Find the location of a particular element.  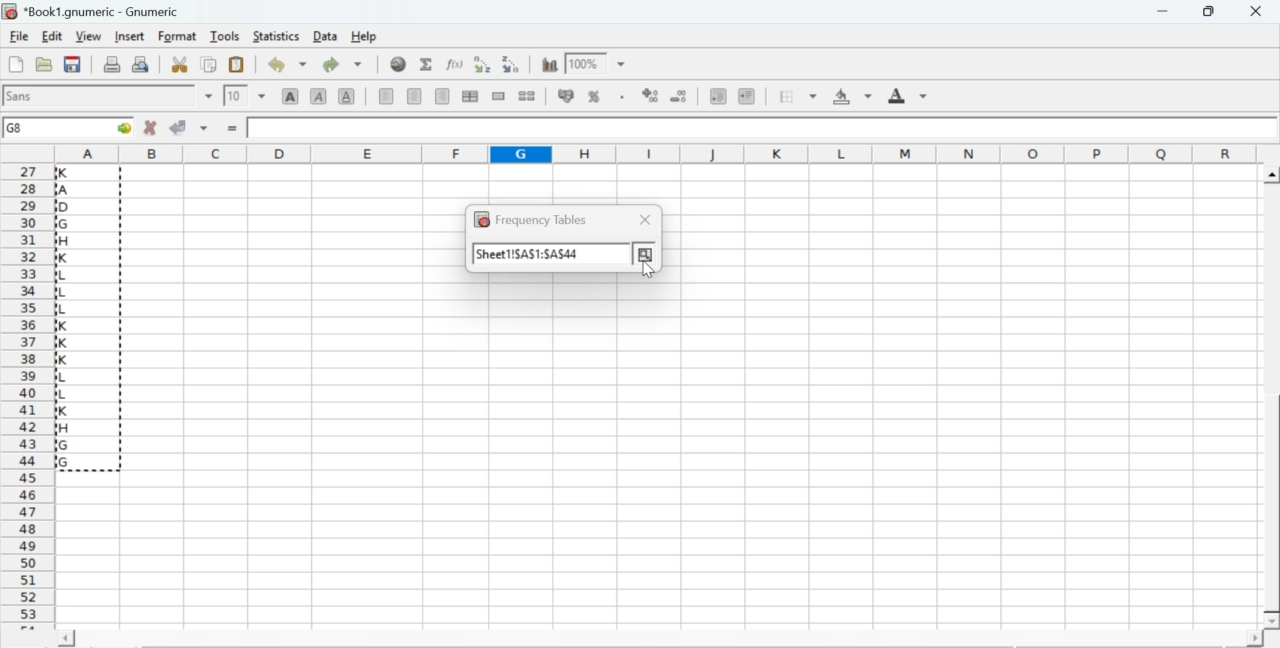

row number is located at coordinates (26, 396).